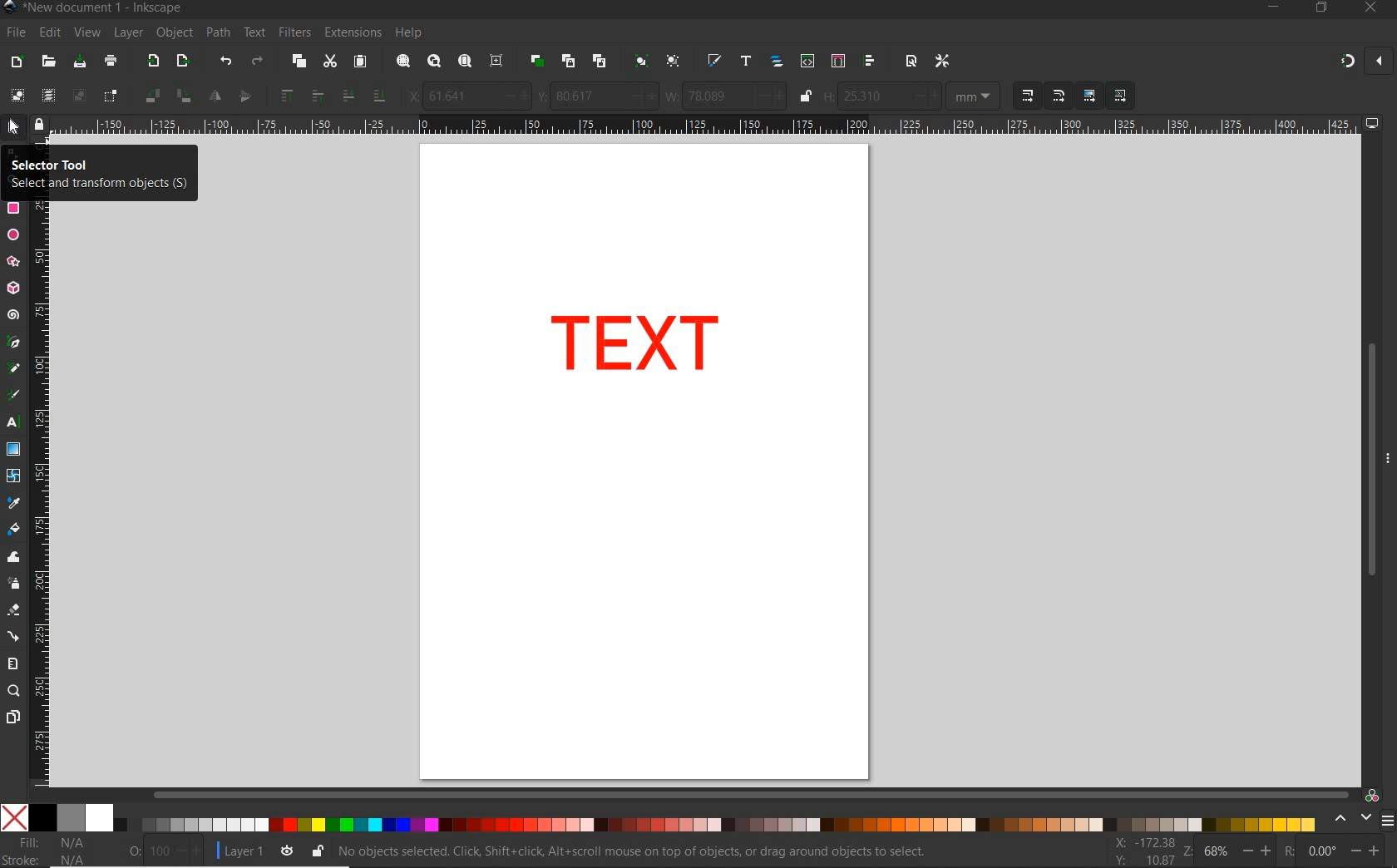 The height and width of the screenshot is (868, 1397). I want to click on new, so click(17, 61).